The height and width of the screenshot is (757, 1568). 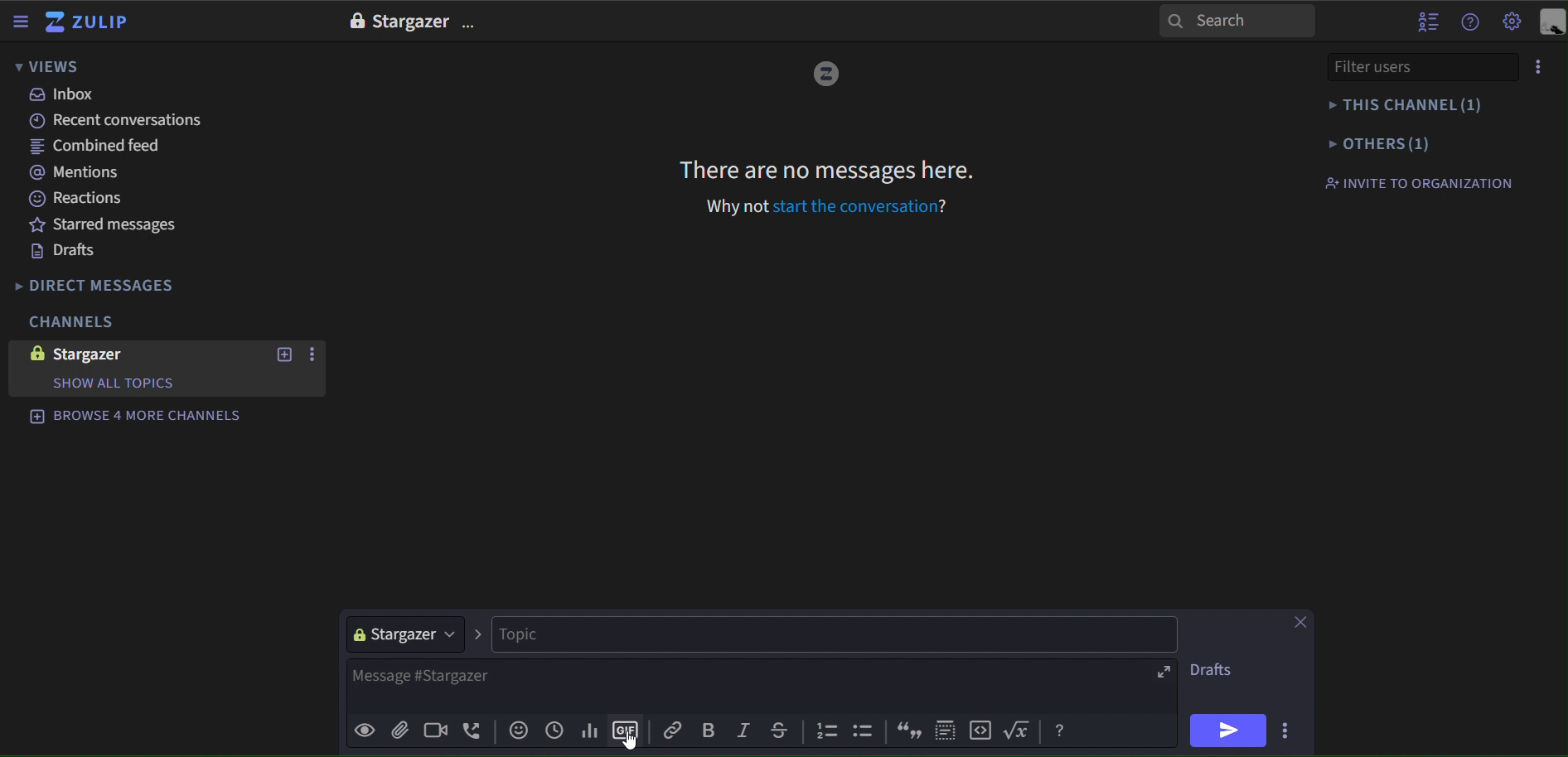 What do you see at coordinates (1539, 67) in the screenshot?
I see `options` at bounding box center [1539, 67].